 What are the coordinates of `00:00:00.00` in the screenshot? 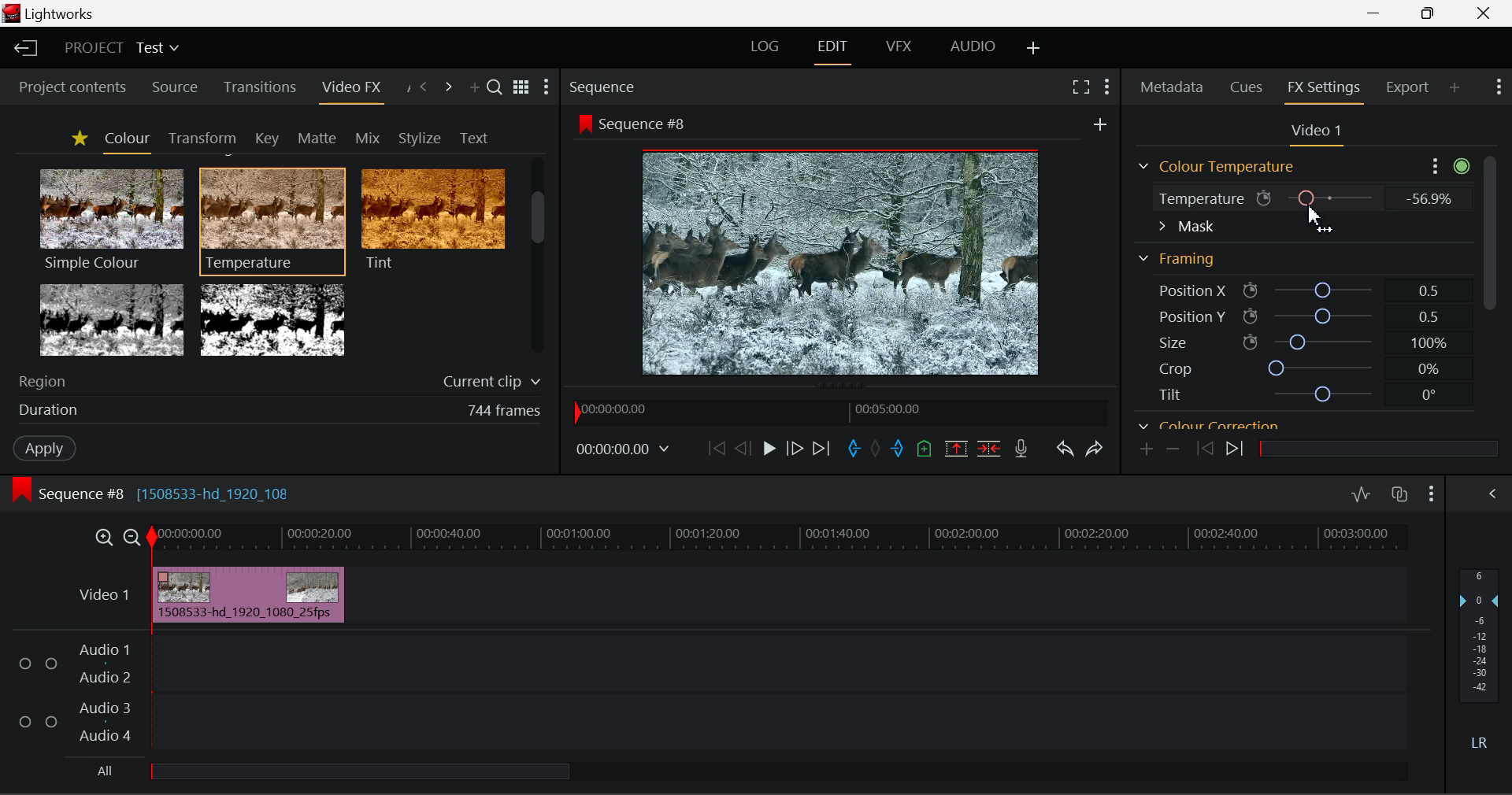 It's located at (617, 410).